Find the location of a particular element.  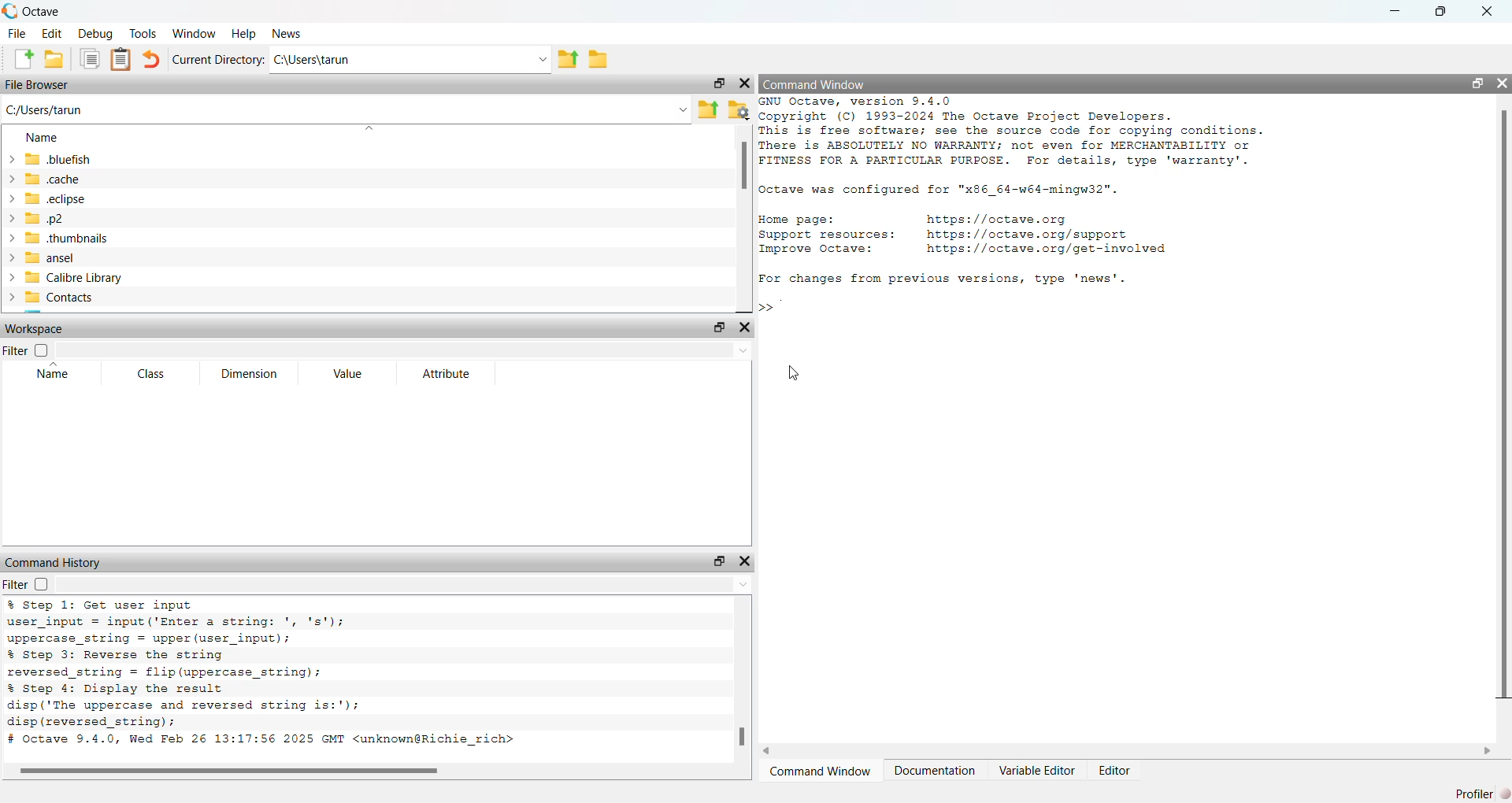

logo is located at coordinates (10, 9).